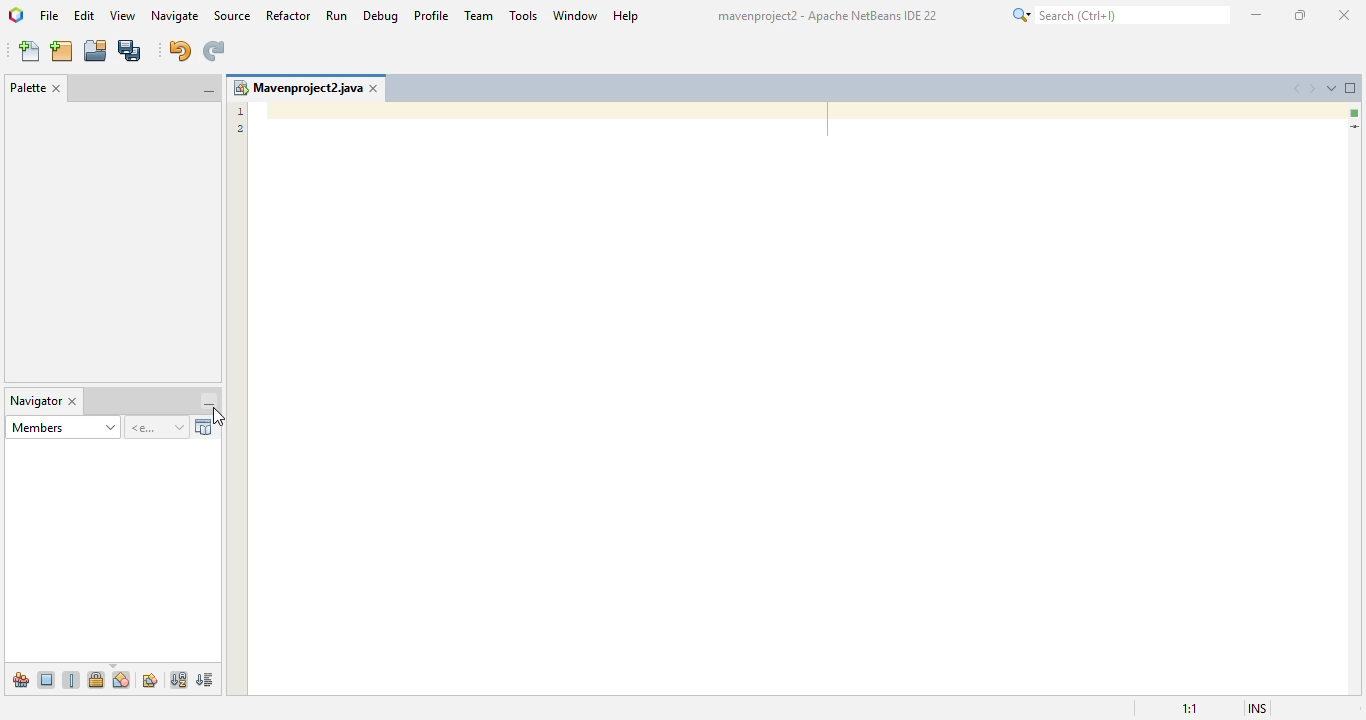 This screenshot has height=720, width=1366. What do you see at coordinates (1258, 15) in the screenshot?
I see `minimize` at bounding box center [1258, 15].